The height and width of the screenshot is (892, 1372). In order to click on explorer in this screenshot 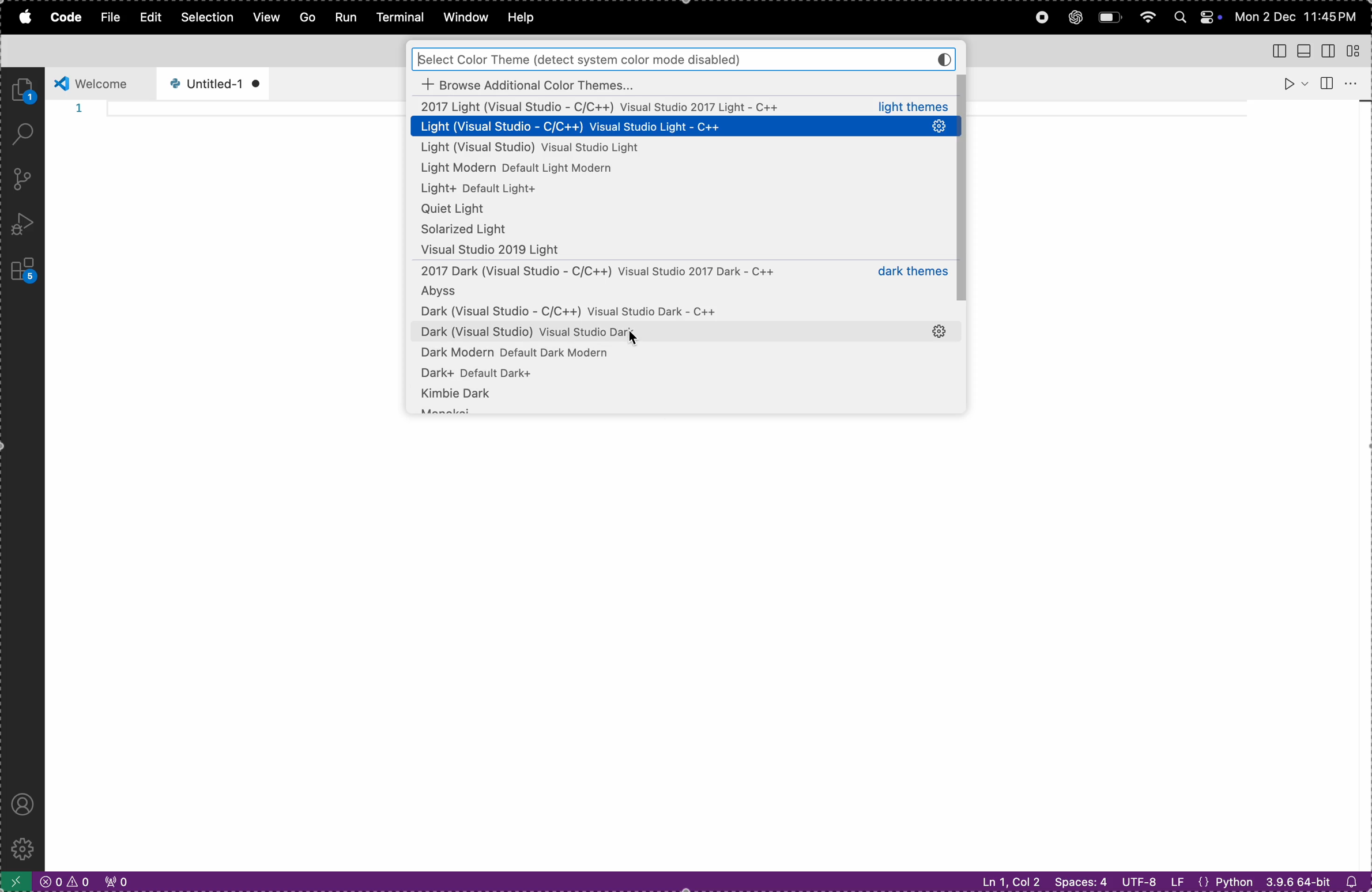, I will do `click(25, 89)`.